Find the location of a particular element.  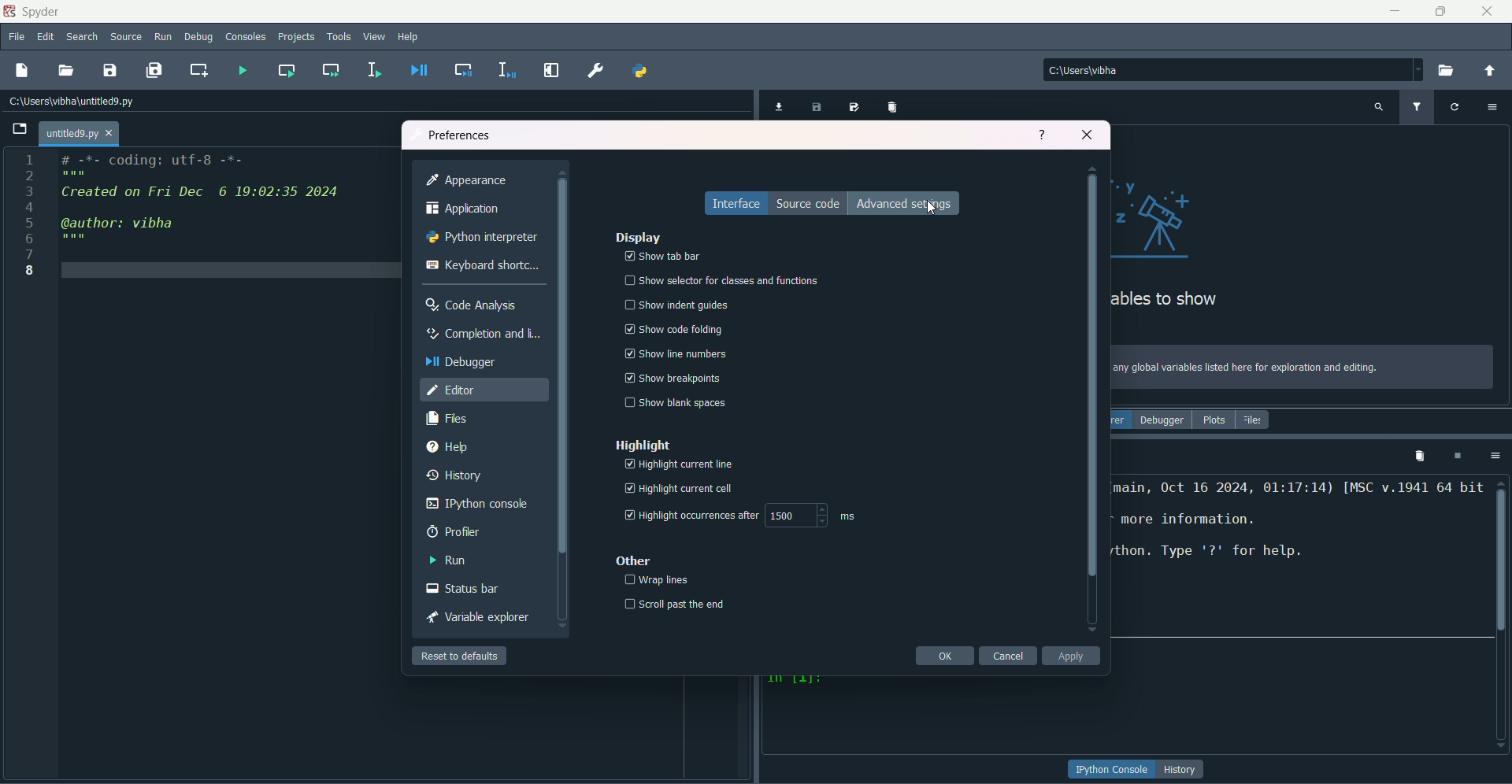

new file is located at coordinates (21, 70).